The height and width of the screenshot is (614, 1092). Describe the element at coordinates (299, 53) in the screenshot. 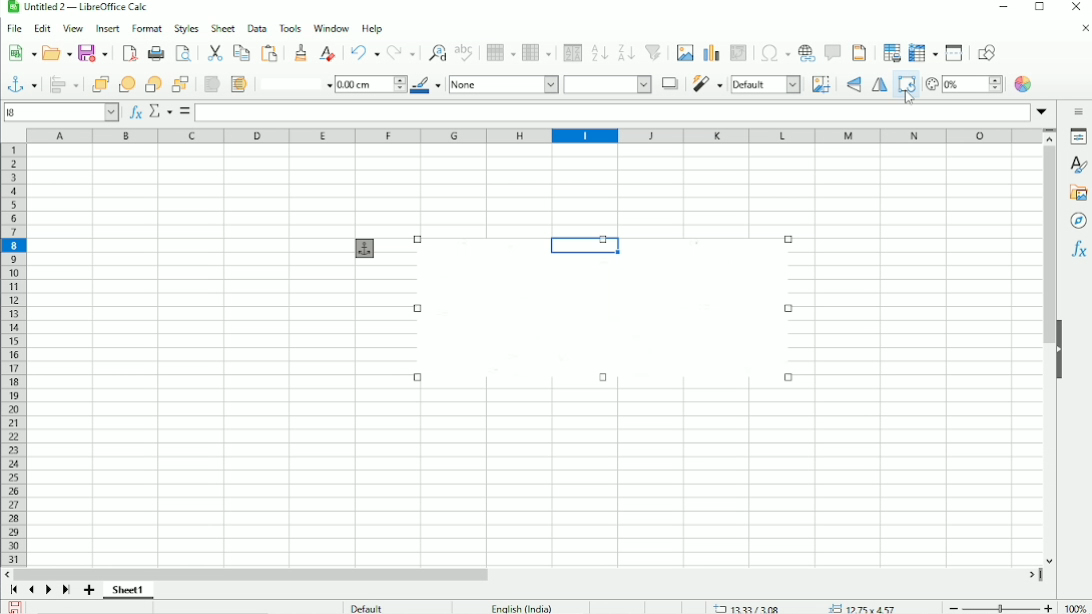

I see `Clone formatting` at that location.